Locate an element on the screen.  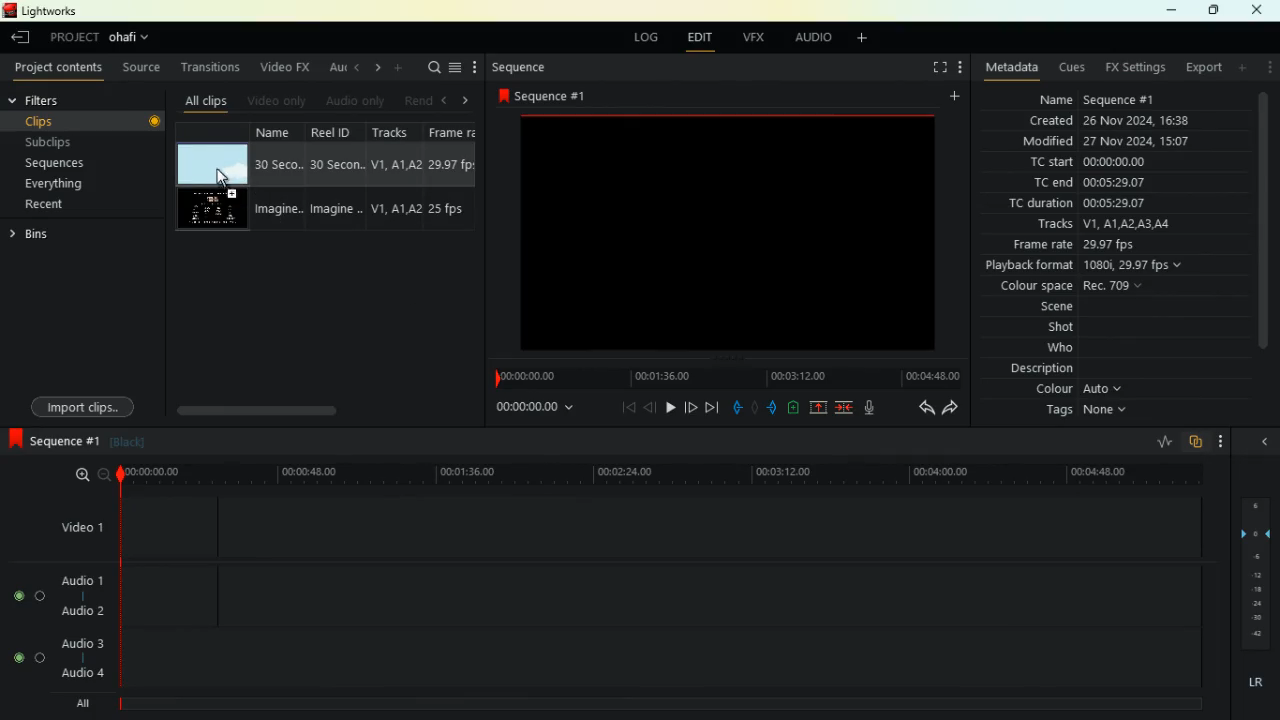
30 seco is located at coordinates (277, 166).